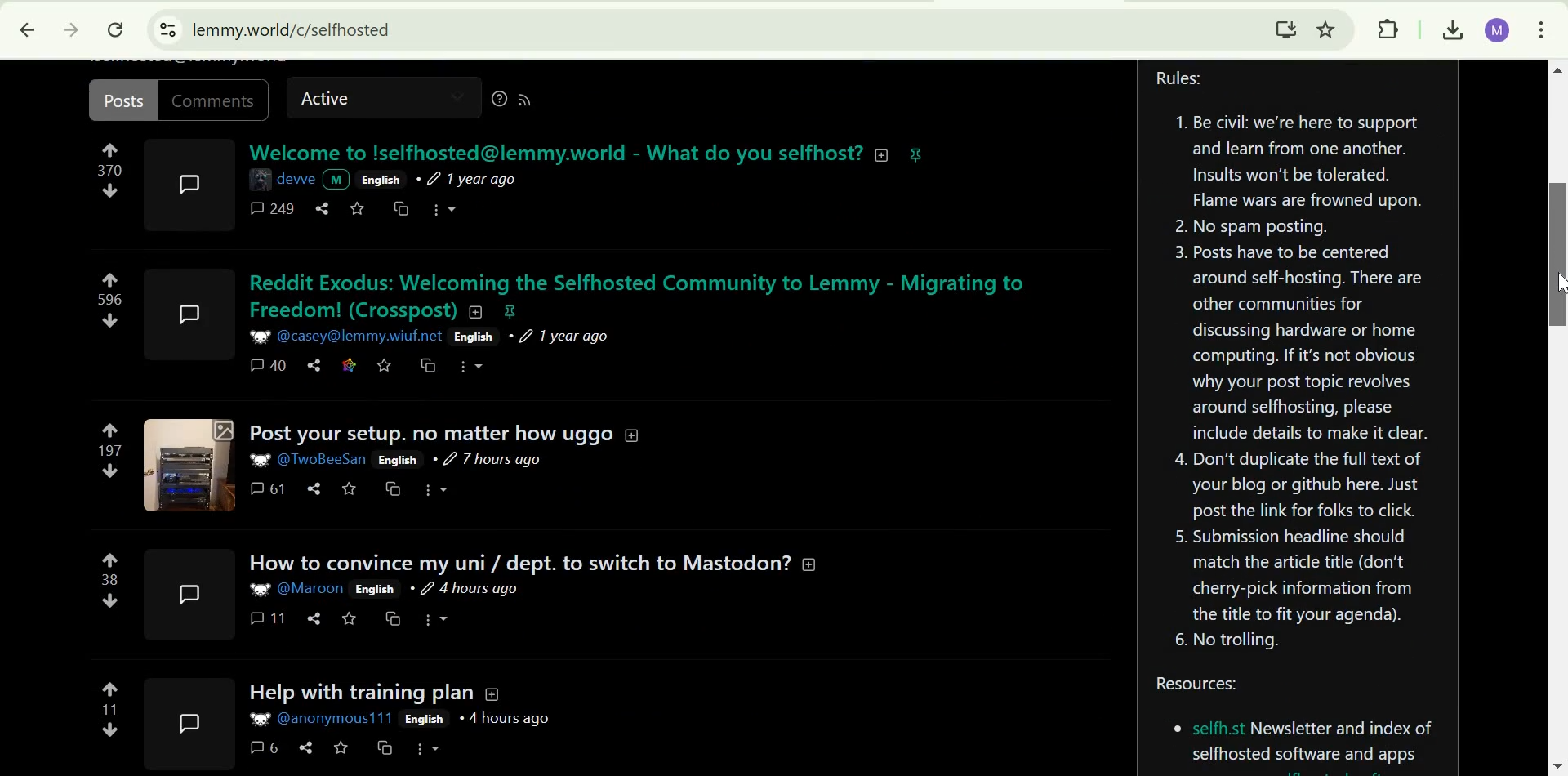 The height and width of the screenshot is (776, 1568). What do you see at coordinates (553, 152) in the screenshot?
I see `welcome text` at bounding box center [553, 152].